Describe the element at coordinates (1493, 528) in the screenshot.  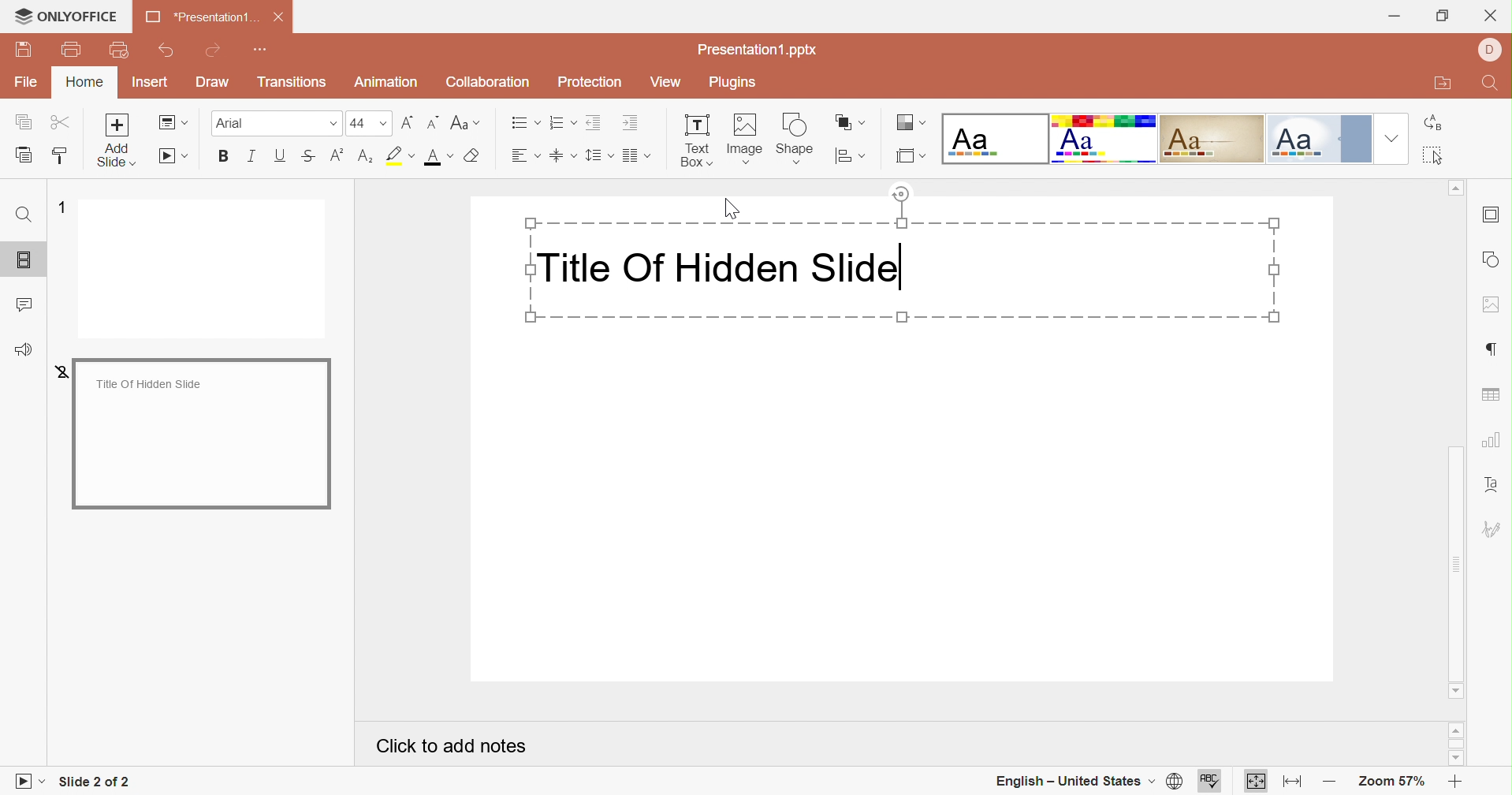
I see `Signature settings` at that location.